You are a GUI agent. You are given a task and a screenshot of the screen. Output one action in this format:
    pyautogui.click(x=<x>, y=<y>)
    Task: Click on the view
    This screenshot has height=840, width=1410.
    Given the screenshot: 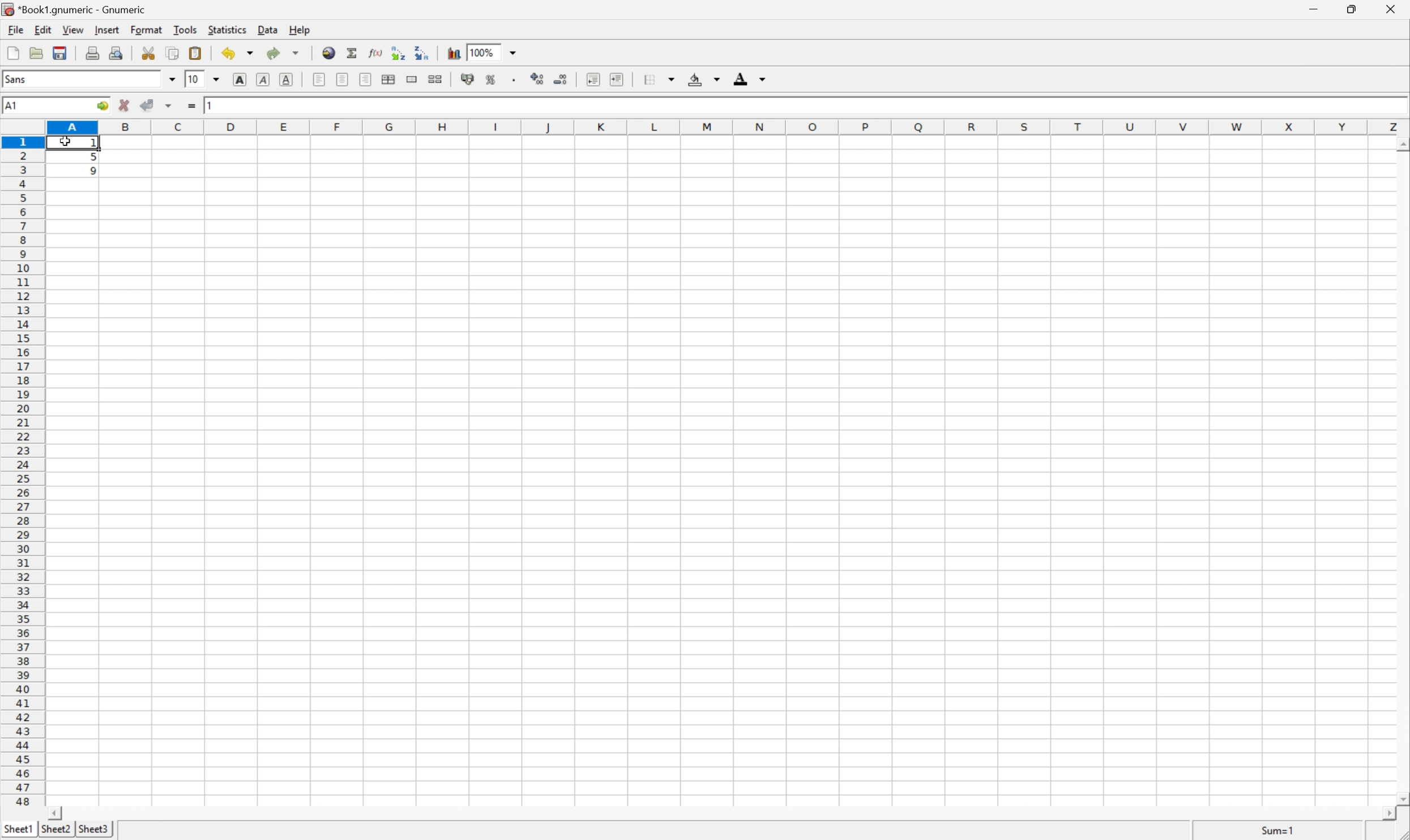 What is the action you would take?
    pyautogui.click(x=74, y=29)
    